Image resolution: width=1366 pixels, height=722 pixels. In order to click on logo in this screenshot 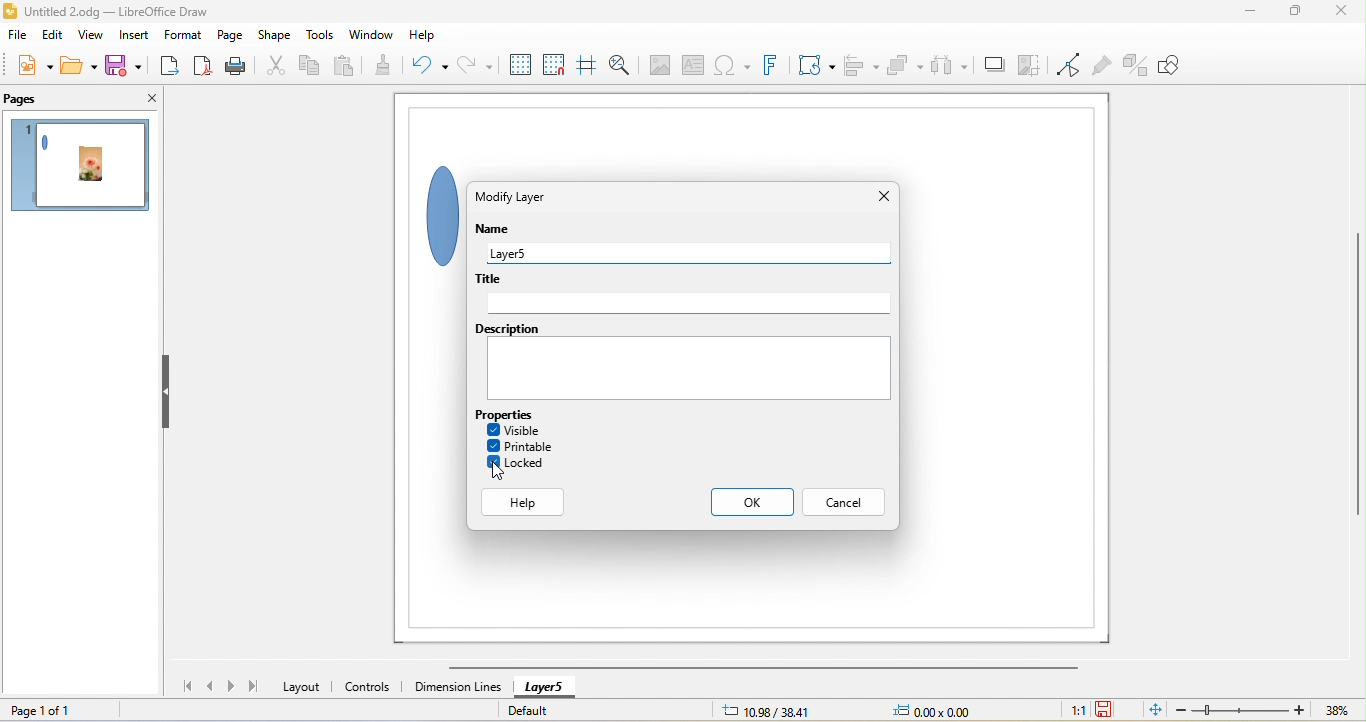, I will do `click(11, 11)`.